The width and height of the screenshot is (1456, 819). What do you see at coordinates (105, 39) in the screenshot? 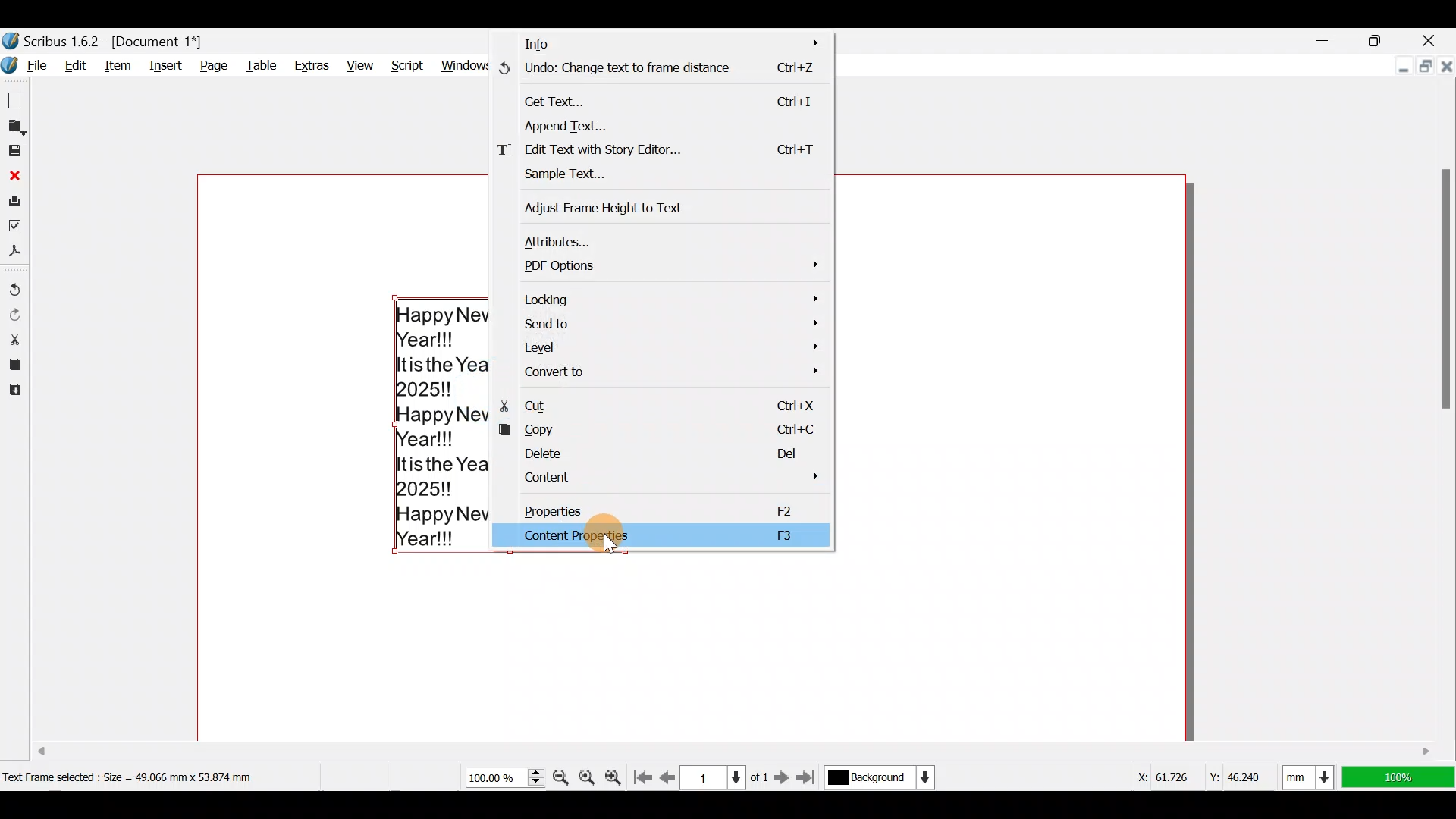
I see `Document name` at bounding box center [105, 39].